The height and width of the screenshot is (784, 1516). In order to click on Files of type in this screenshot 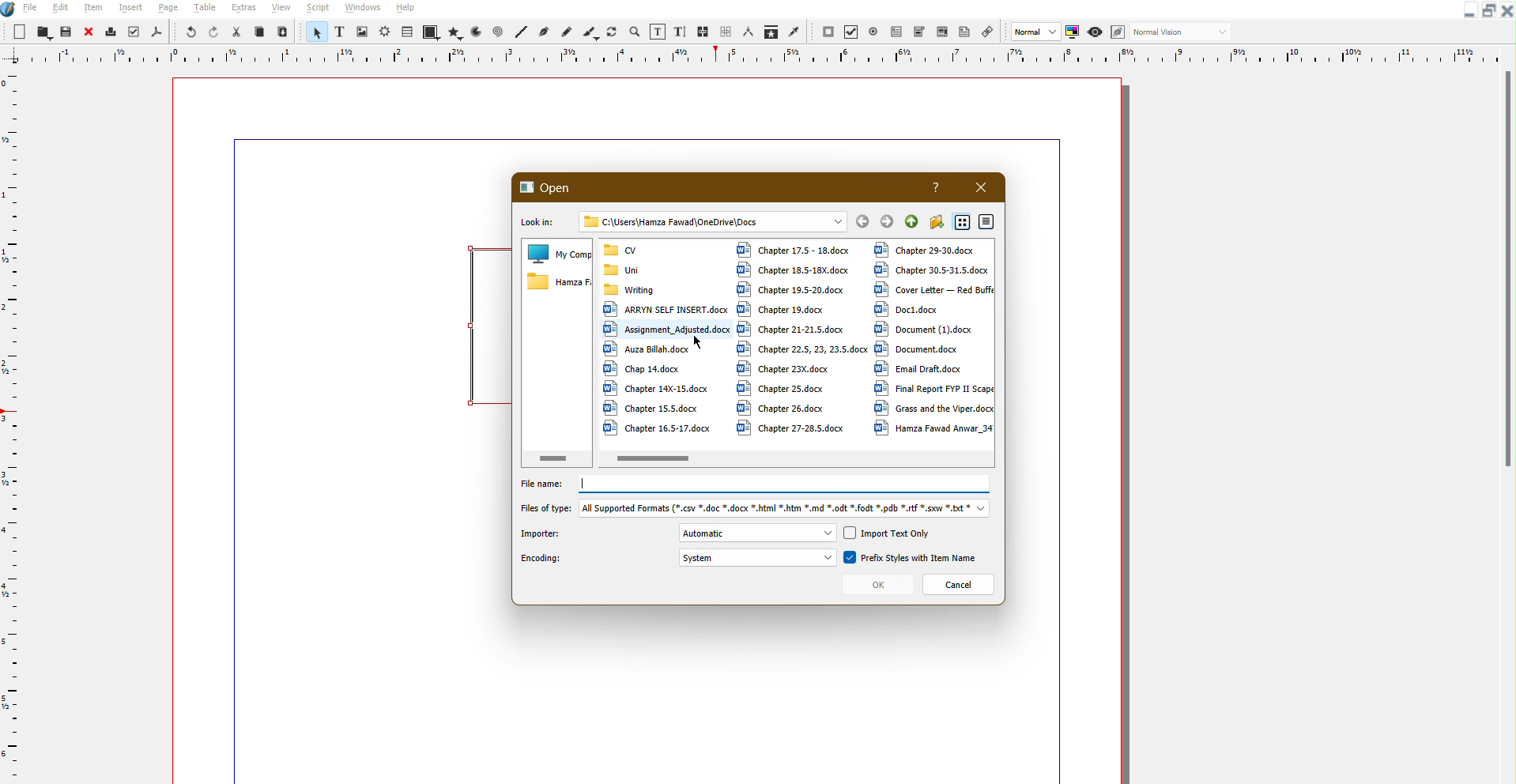, I will do `click(756, 509)`.